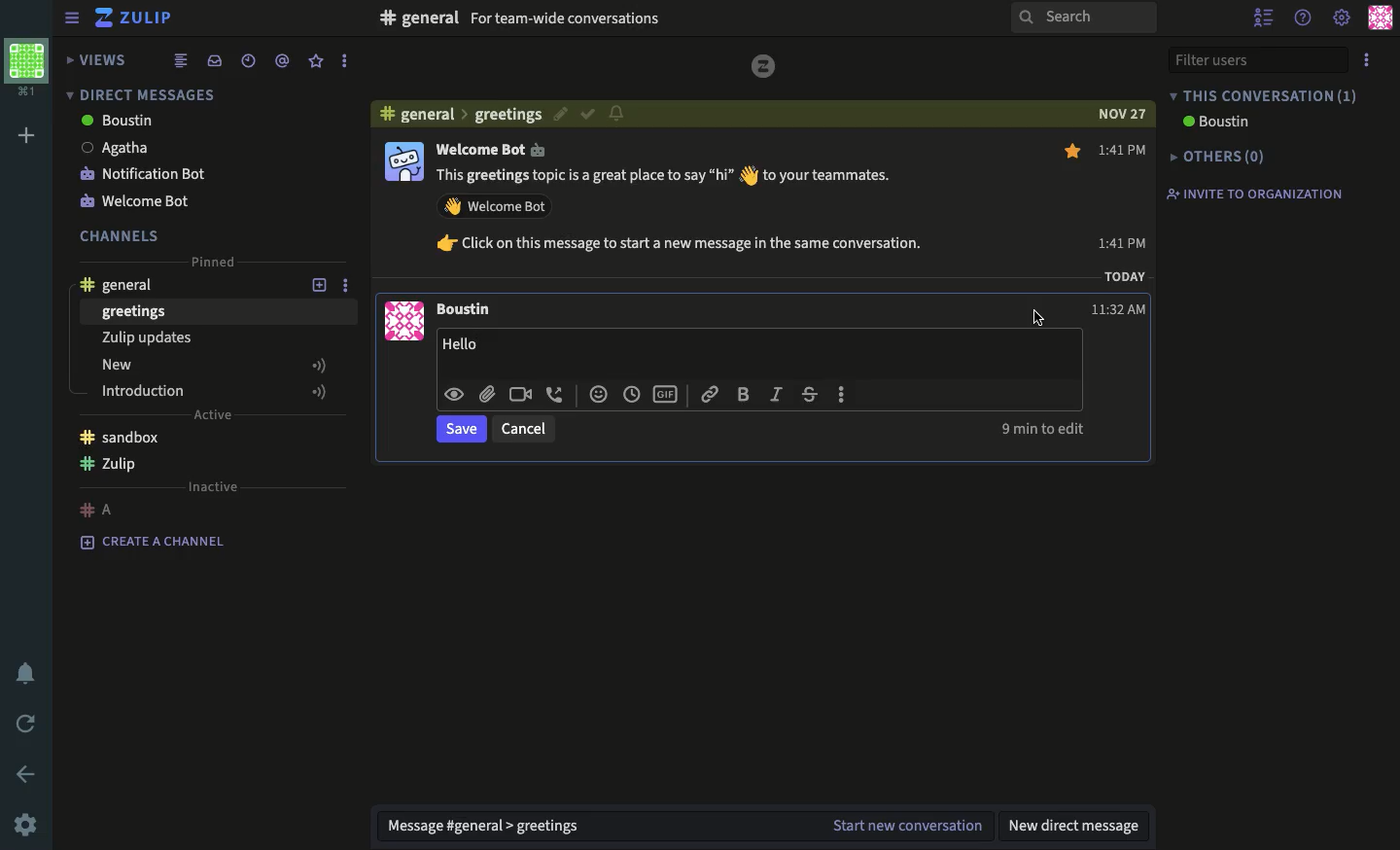  What do you see at coordinates (454, 113) in the screenshot?
I see `general` at bounding box center [454, 113].